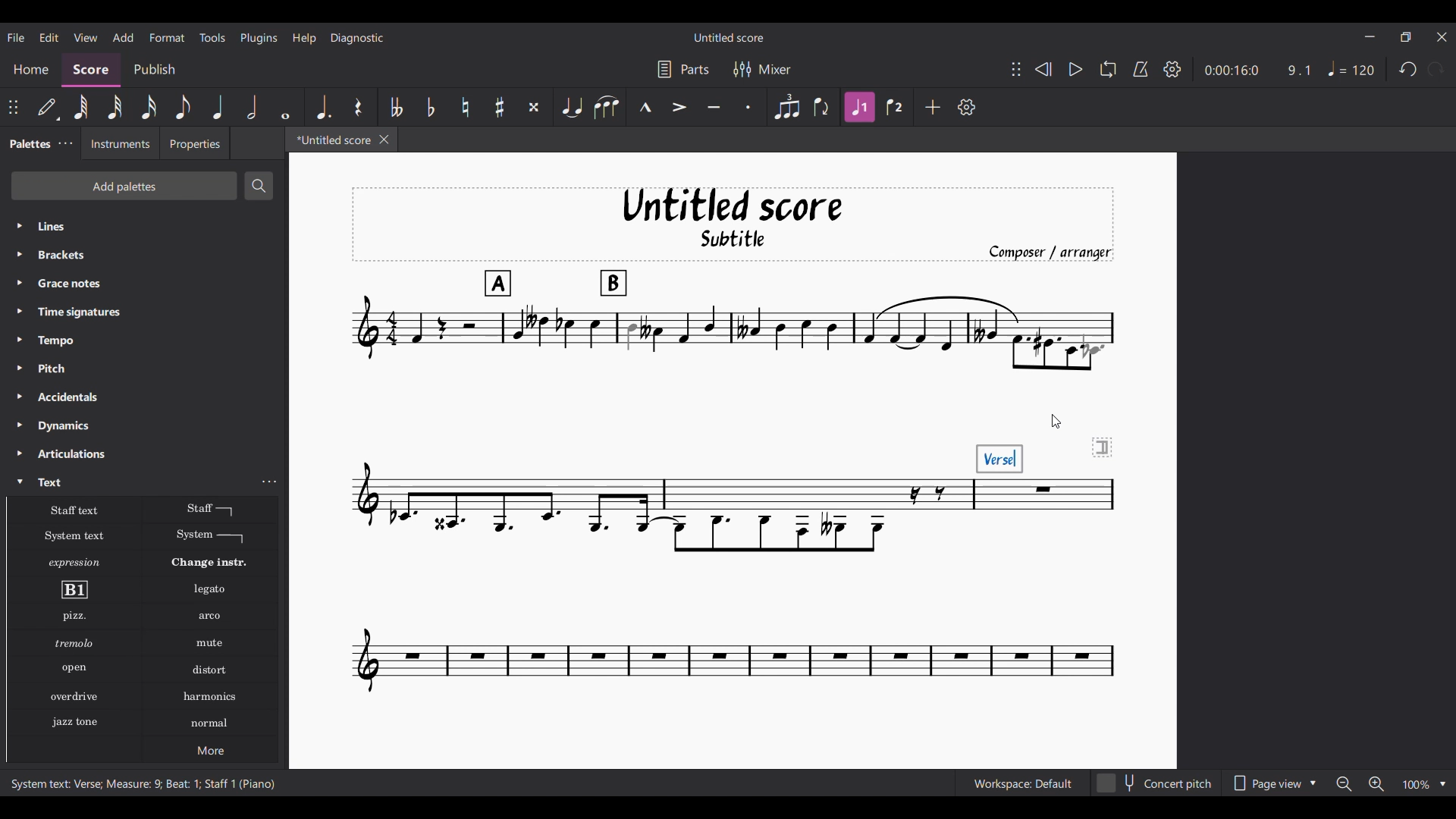 The height and width of the screenshot is (819, 1456). Describe the element at coordinates (143, 397) in the screenshot. I see `Accidentals` at that location.